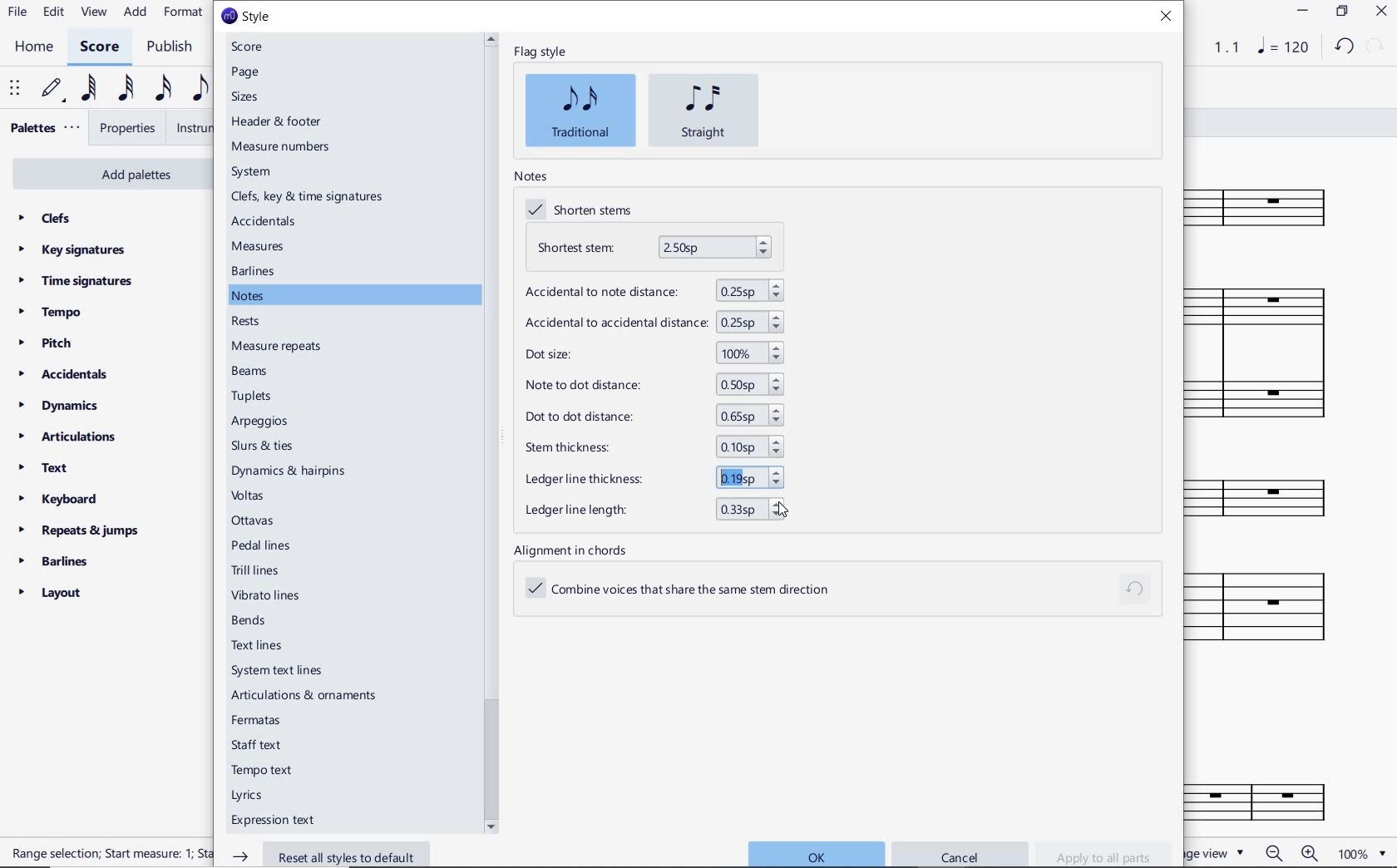 This screenshot has height=868, width=1397. I want to click on accidentals, so click(64, 374).